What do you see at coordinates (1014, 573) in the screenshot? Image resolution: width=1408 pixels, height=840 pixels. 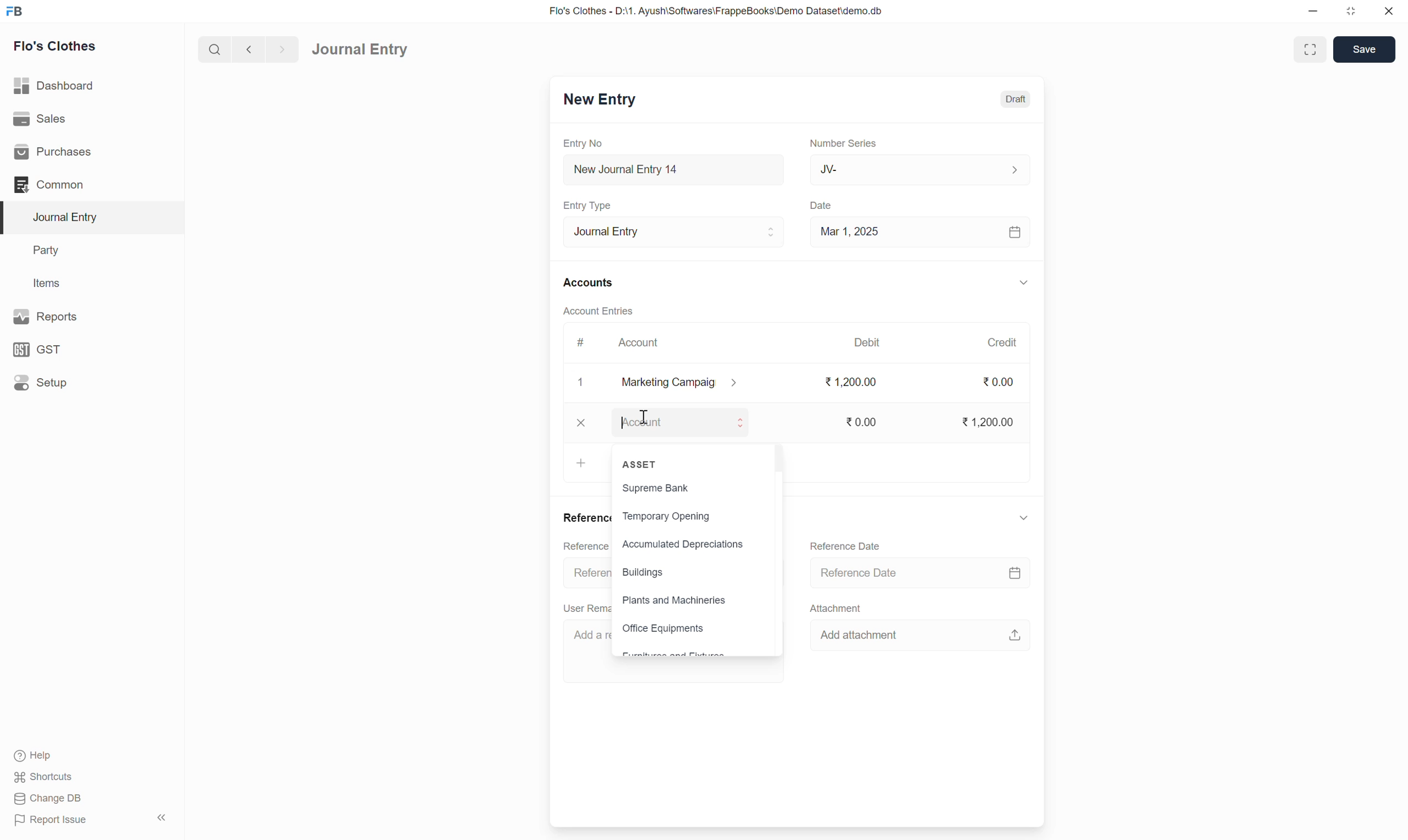 I see `calendar` at bounding box center [1014, 573].